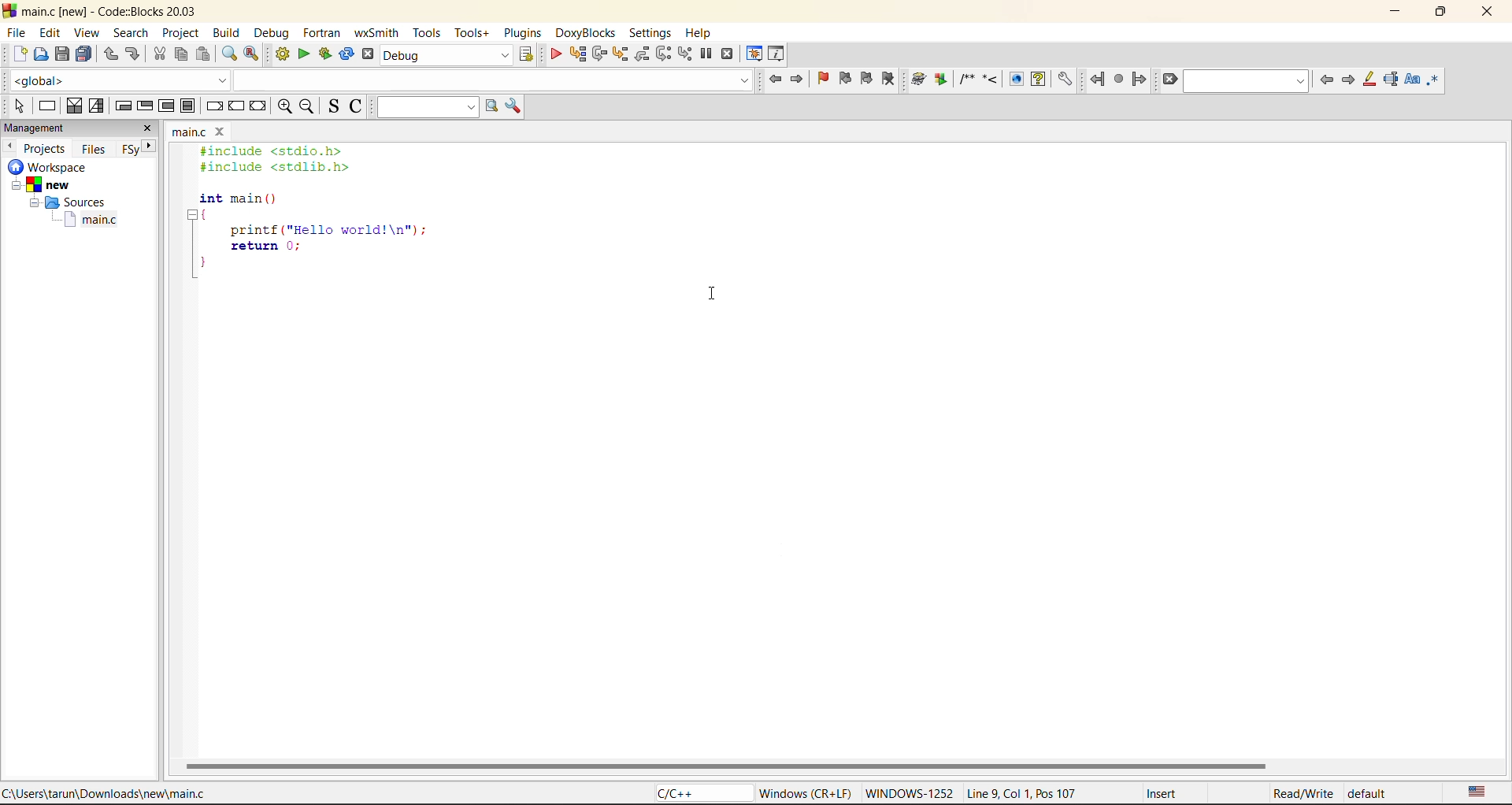 This screenshot has height=805, width=1512. I want to click on toggle comments, so click(355, 108).